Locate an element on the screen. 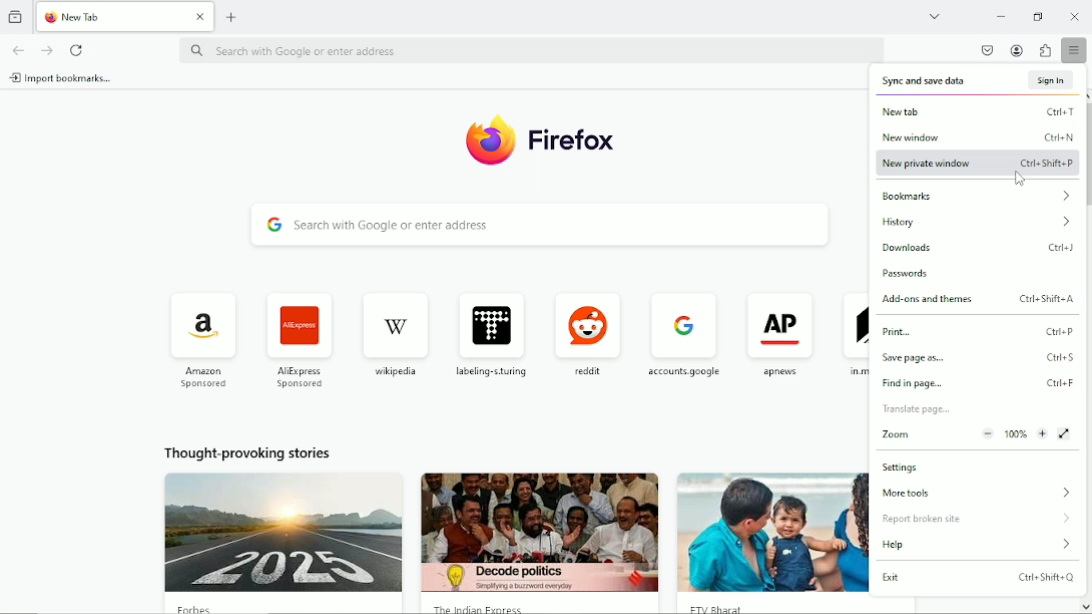 The image size is (1092, 614). new window is located at coordinates (978, 138).